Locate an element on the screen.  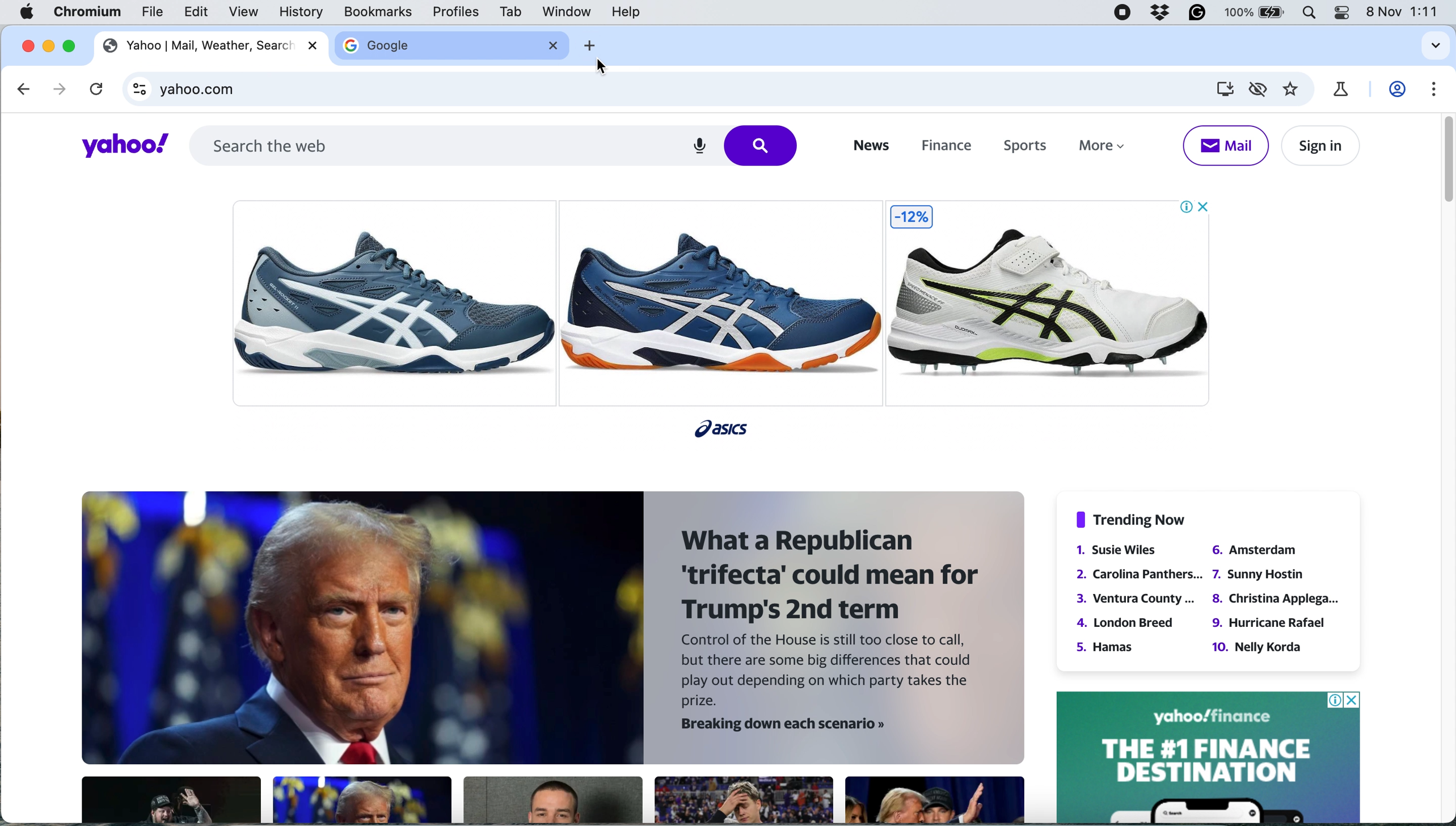
close is located at coordinates (315, 46).